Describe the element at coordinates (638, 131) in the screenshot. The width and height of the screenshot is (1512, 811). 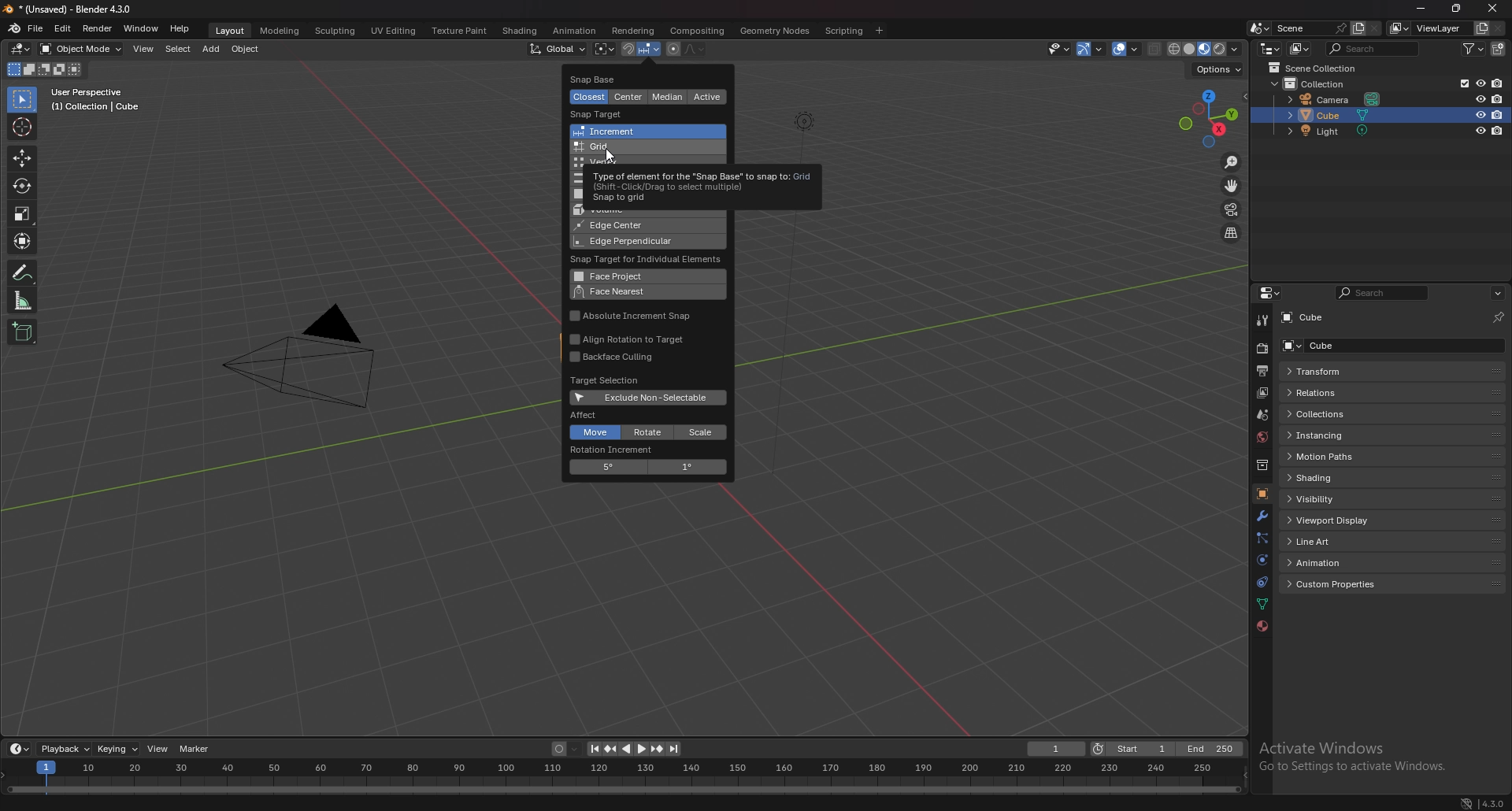
I see `increment` at that location.